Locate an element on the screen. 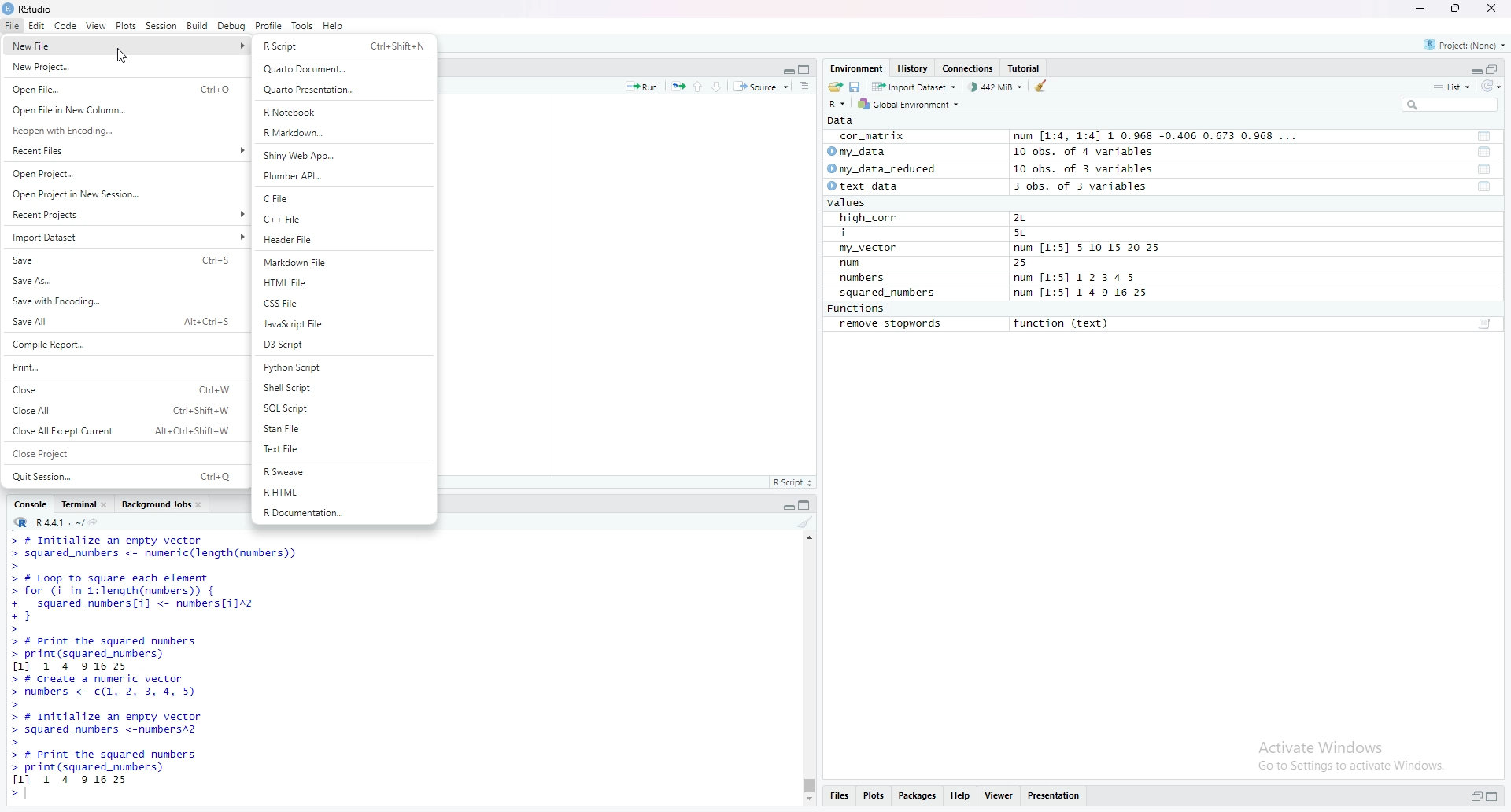 The width and height of the screenshot is (1511, 812). Text File is located at coordinates (345, 451).